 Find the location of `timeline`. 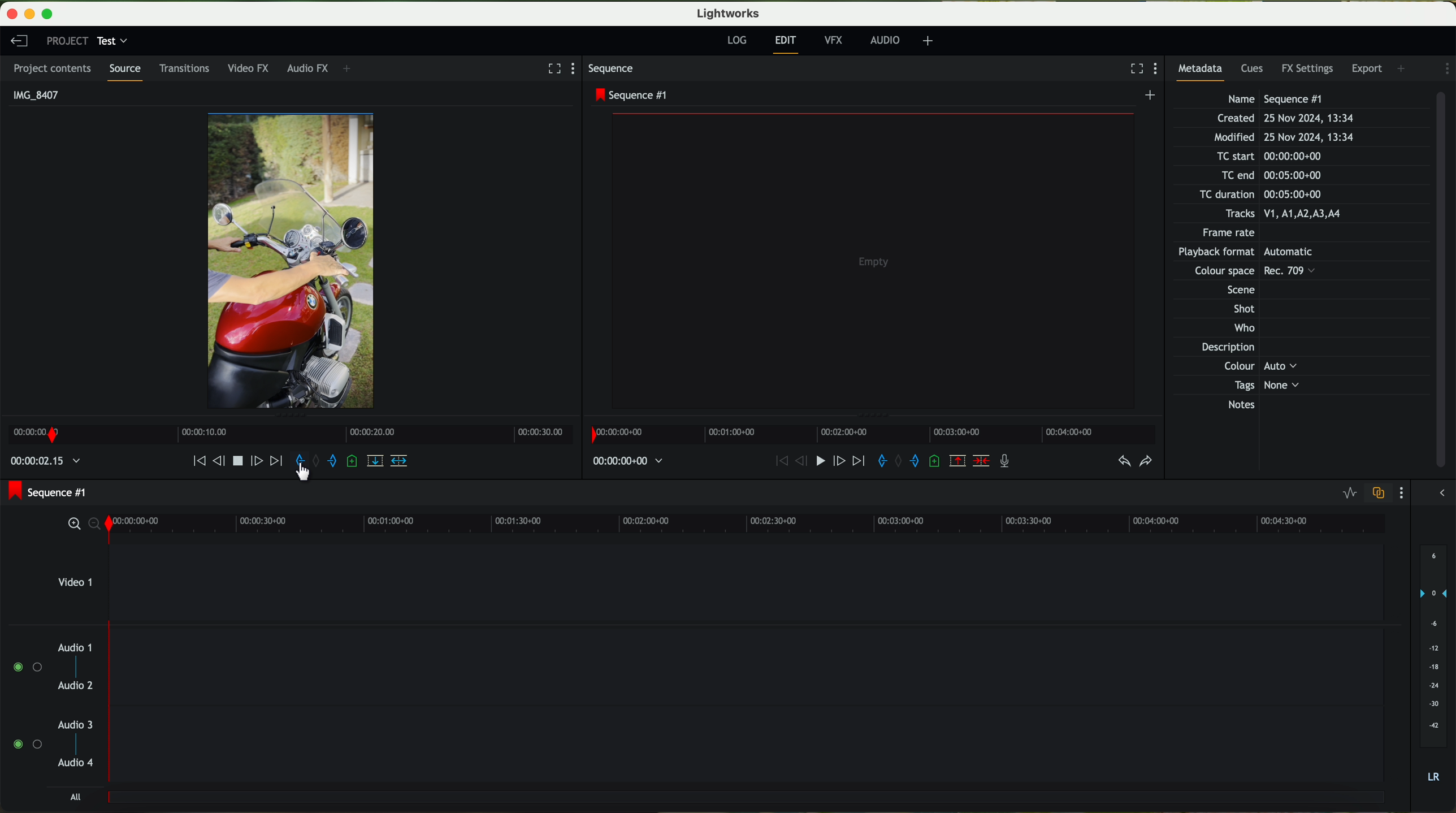

timeline is located at coordinates (872, 434).